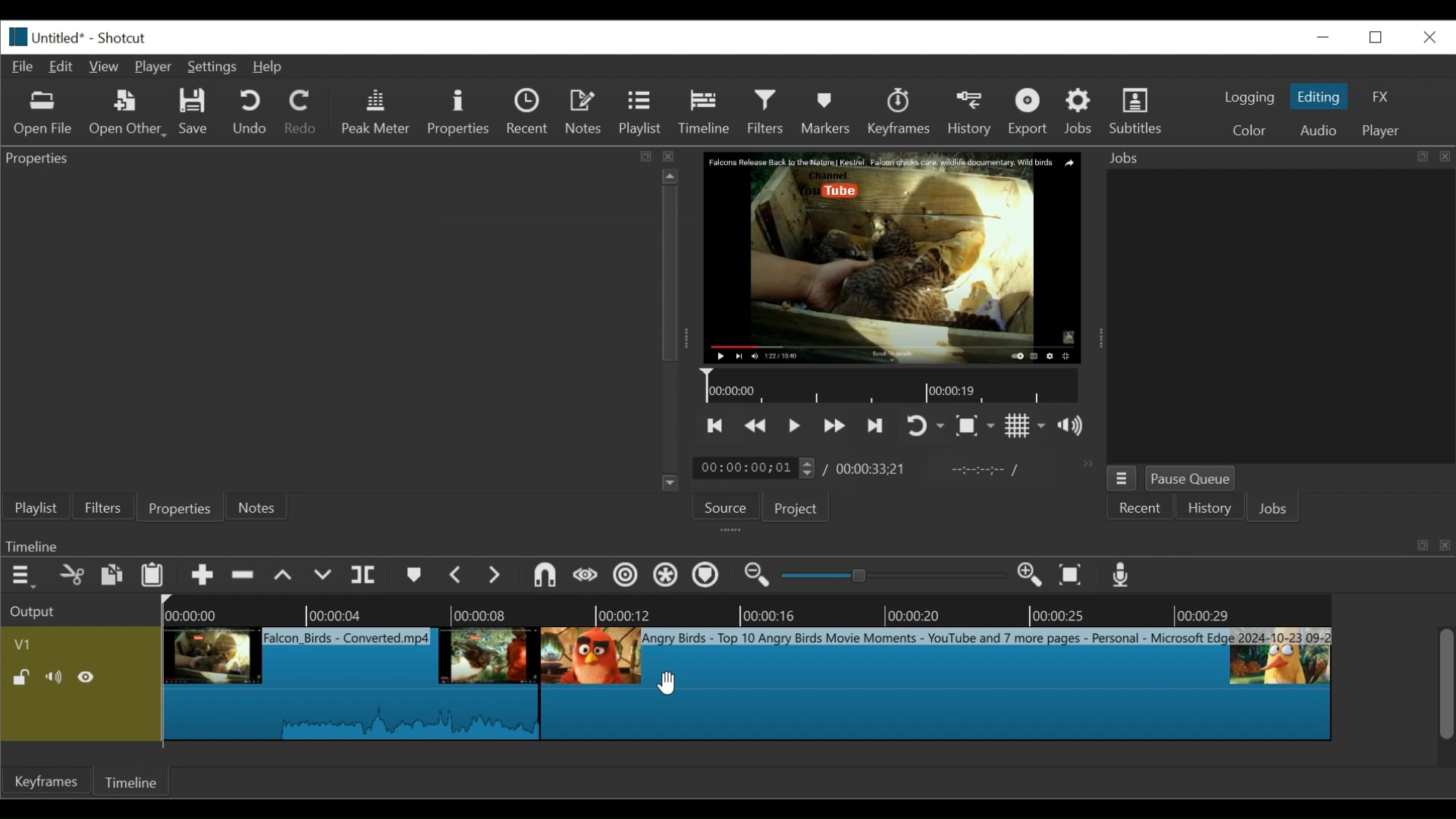  Describe the element at coordinates (457, 576) in the screenshot. I see `Previous Marker` at that location.